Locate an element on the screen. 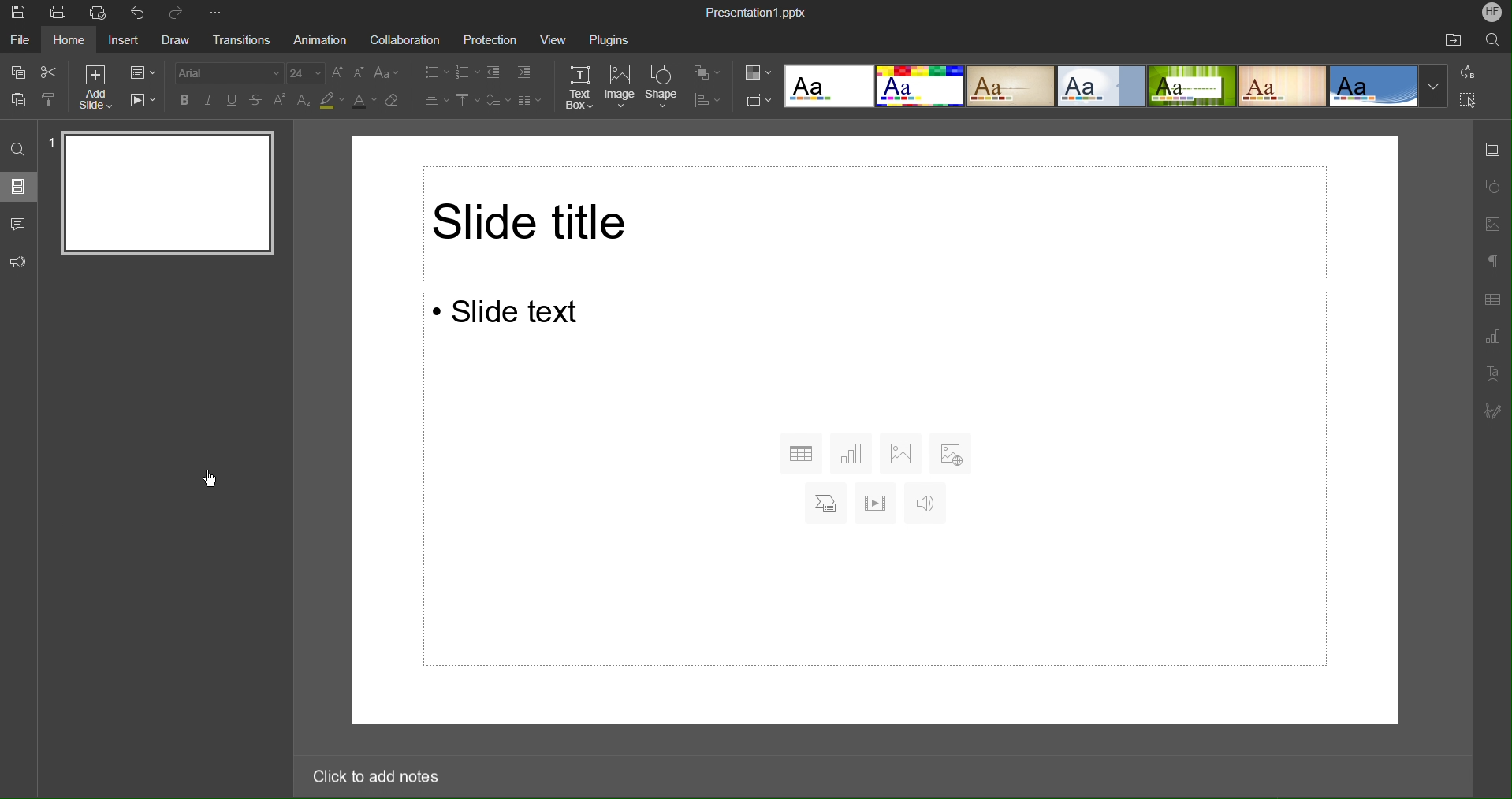 The width and height of the screenshot is (1512, 799). scroll bar is located at coordinates (1465, 426).